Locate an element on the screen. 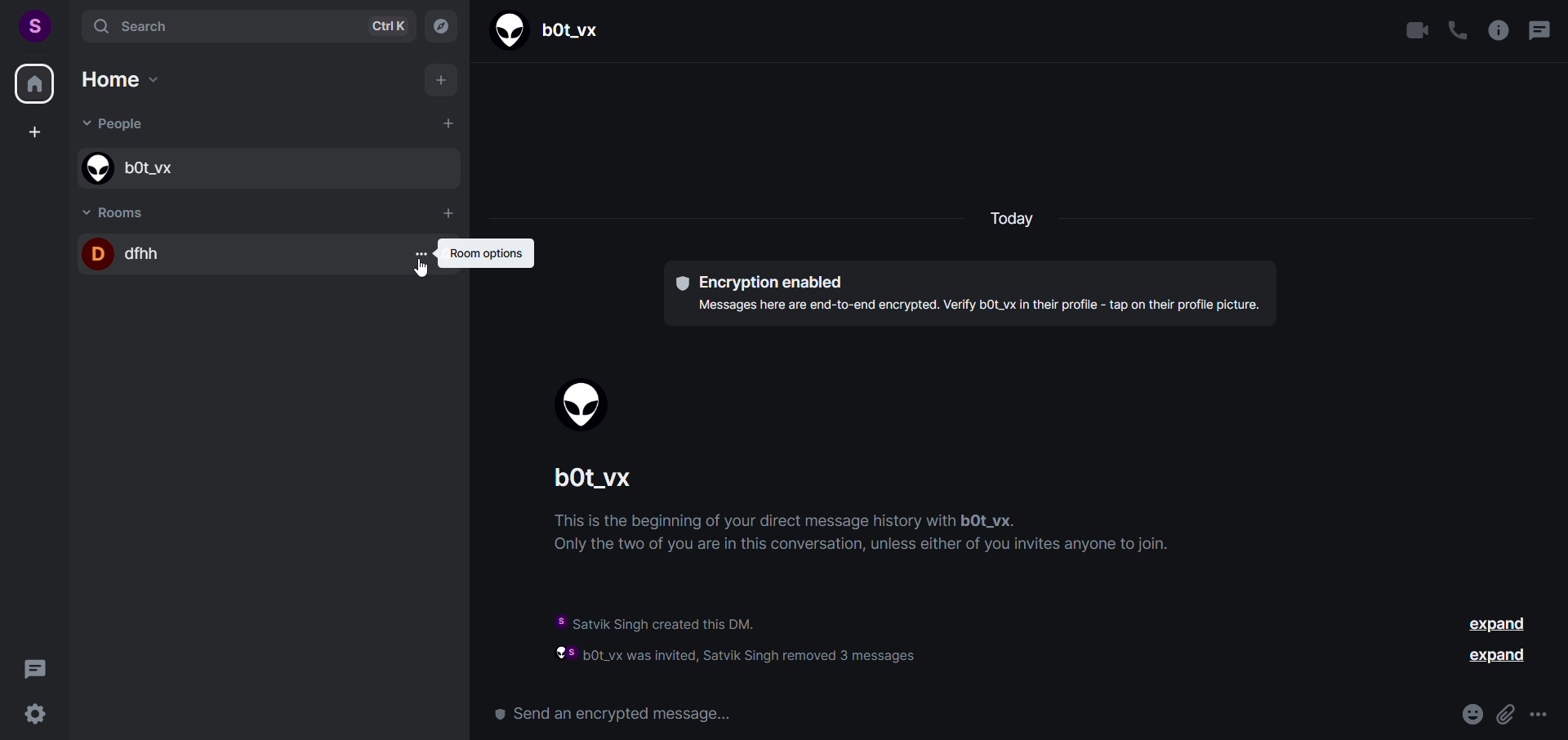 The width and height of the screenshot is (1568, 740). cursor is located at coordinates (423, 270).